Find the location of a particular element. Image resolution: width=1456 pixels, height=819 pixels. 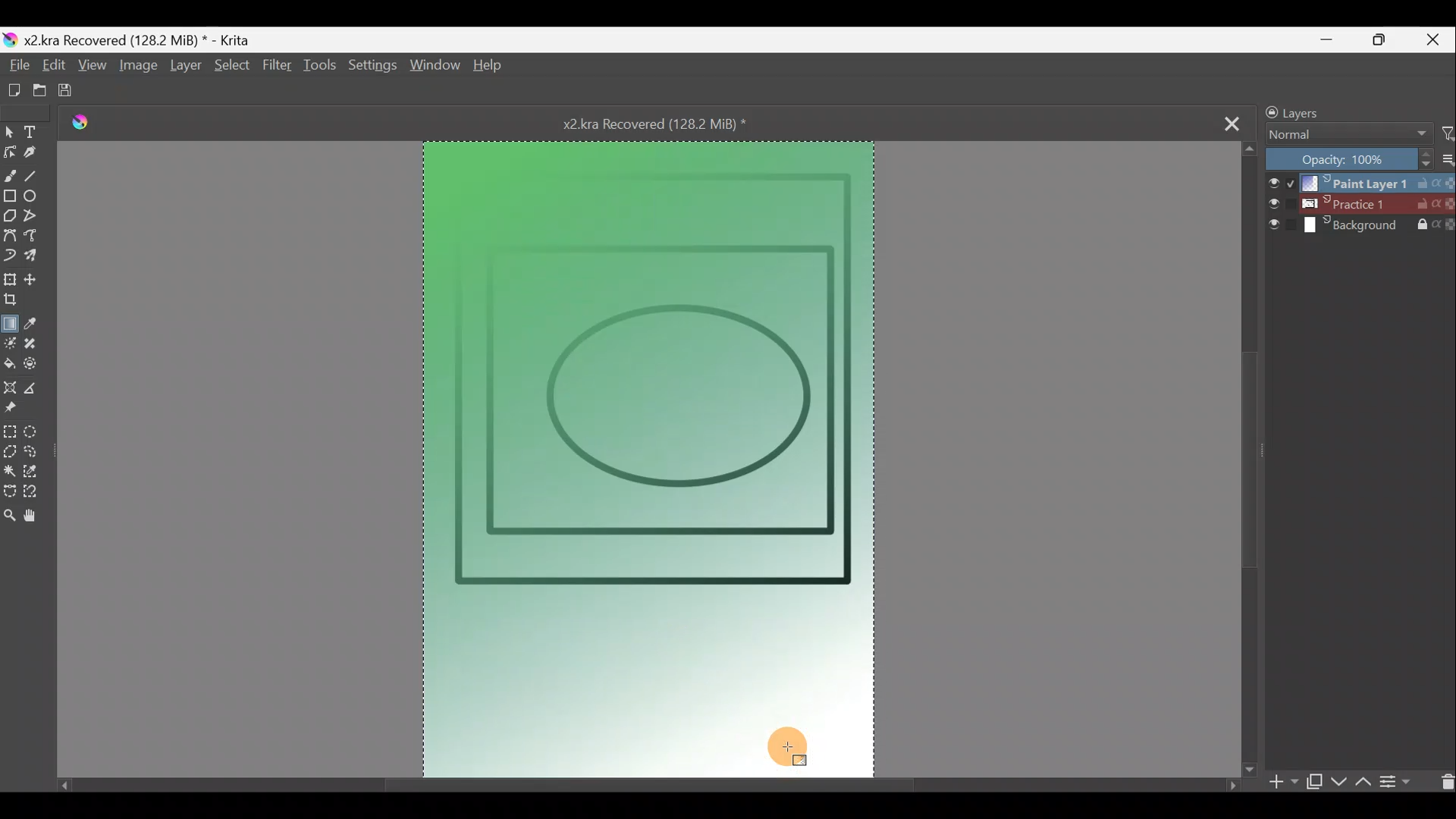

Layer 2 is located at coordinates (1360, 204).